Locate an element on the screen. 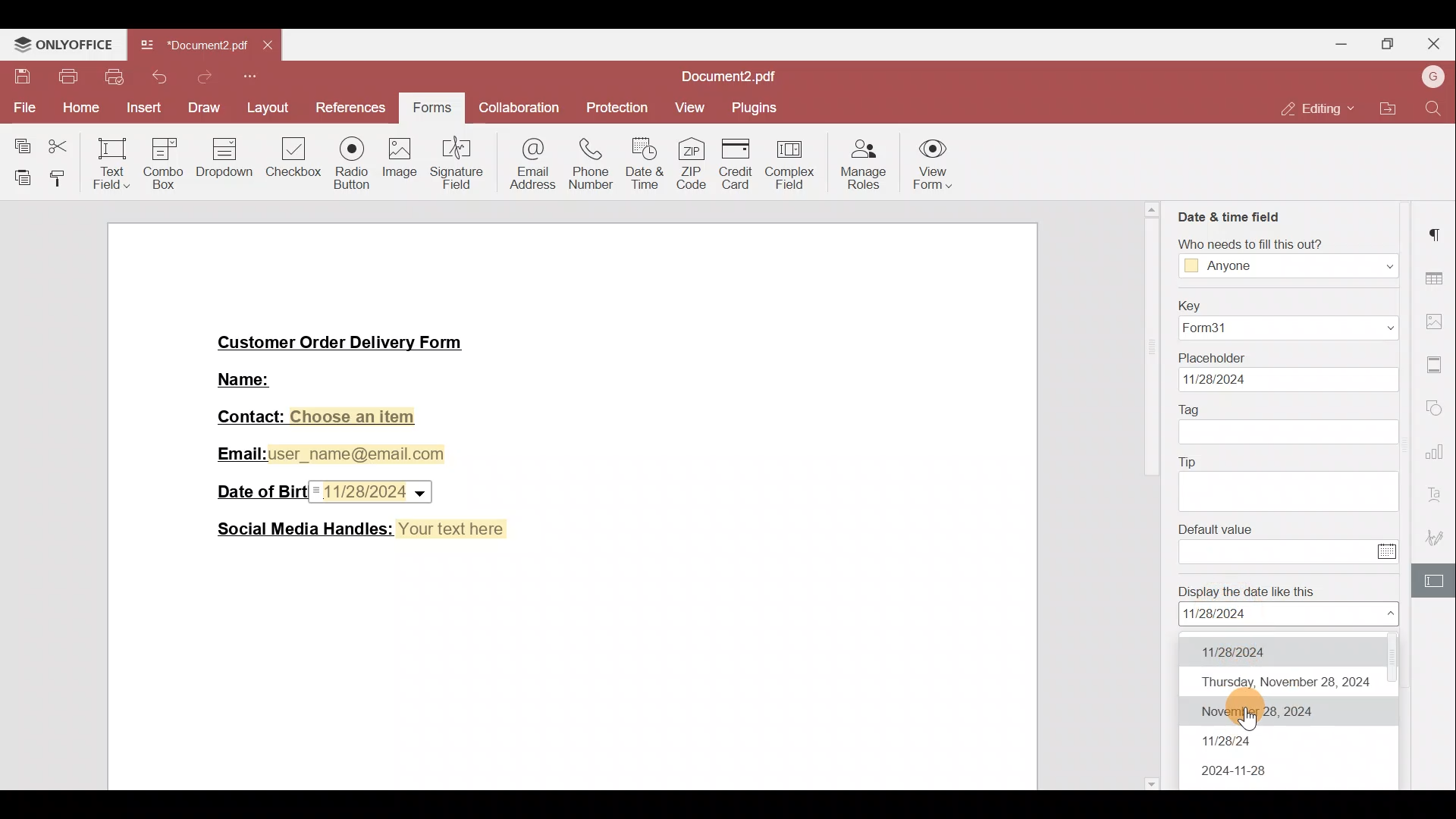  Shapes settings is located at coordinates (1436, 409).